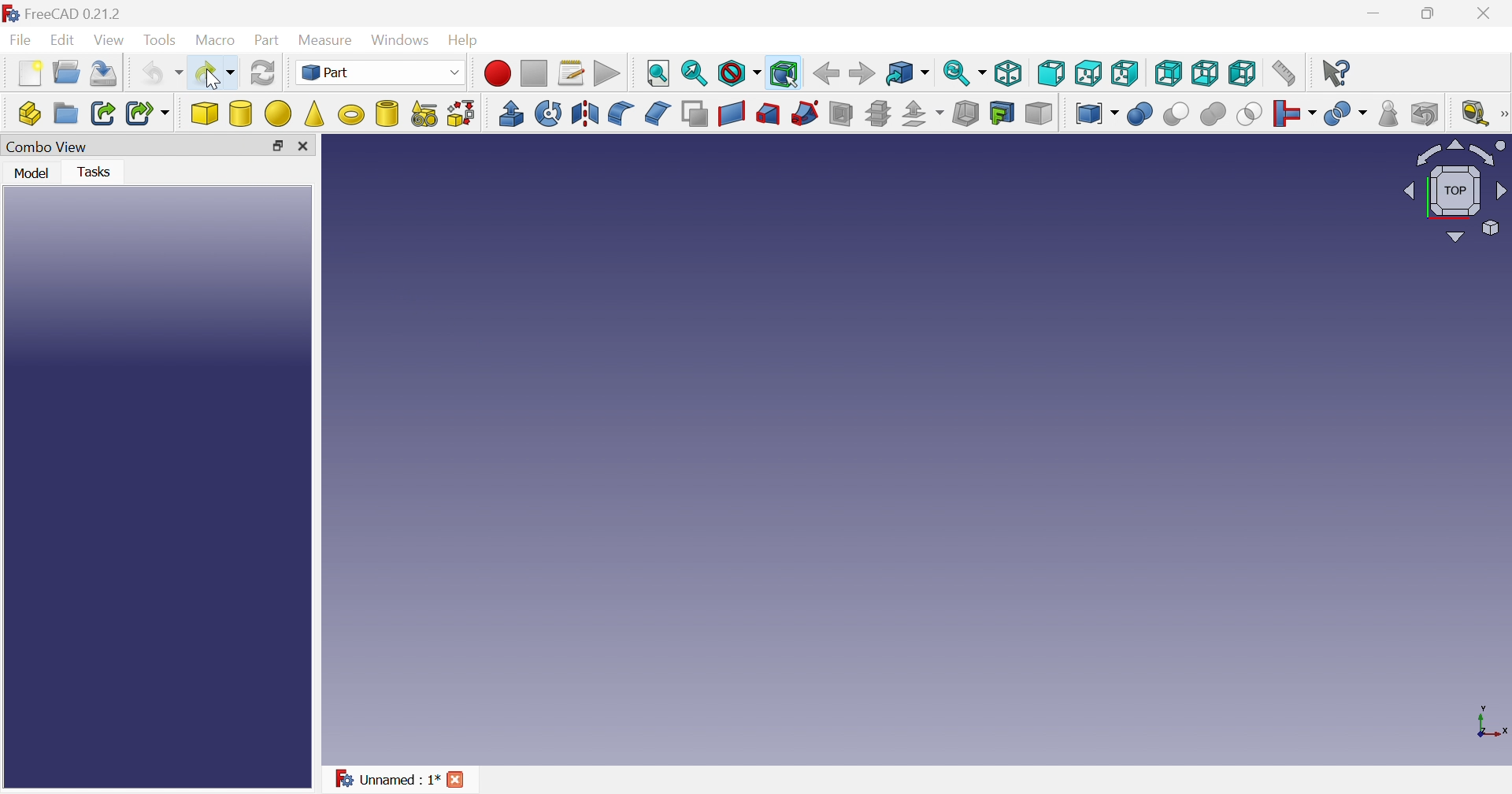 Image resolution: width=1512 pixels, height=794 pixels. I want to click on Make link, so click(103, 113).